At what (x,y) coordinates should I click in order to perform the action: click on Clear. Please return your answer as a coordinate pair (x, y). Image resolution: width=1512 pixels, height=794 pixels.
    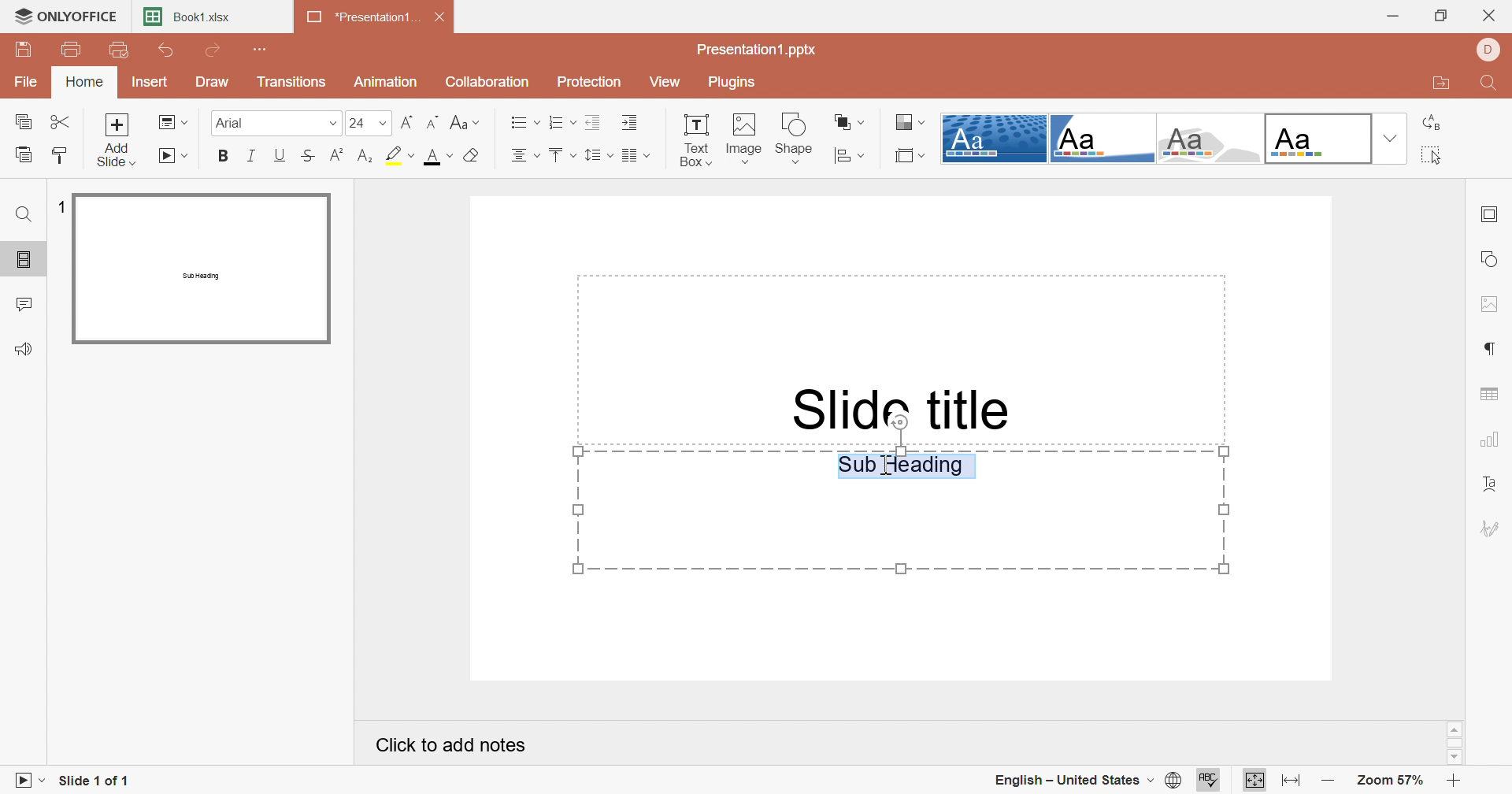
    Looking at the image, I should click on (472, 154).